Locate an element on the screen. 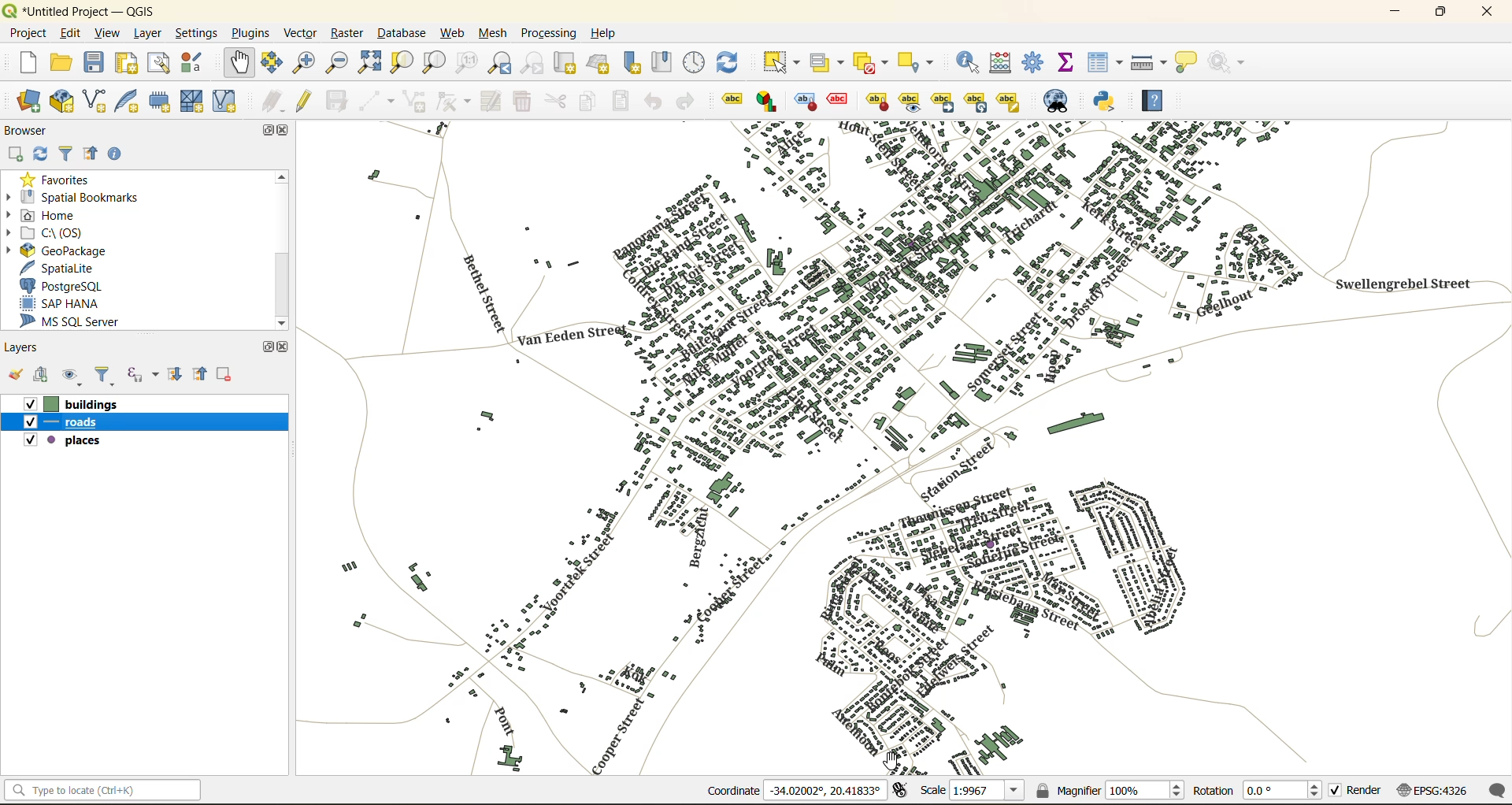  new virtual layer is located at coordinates (228, 102).